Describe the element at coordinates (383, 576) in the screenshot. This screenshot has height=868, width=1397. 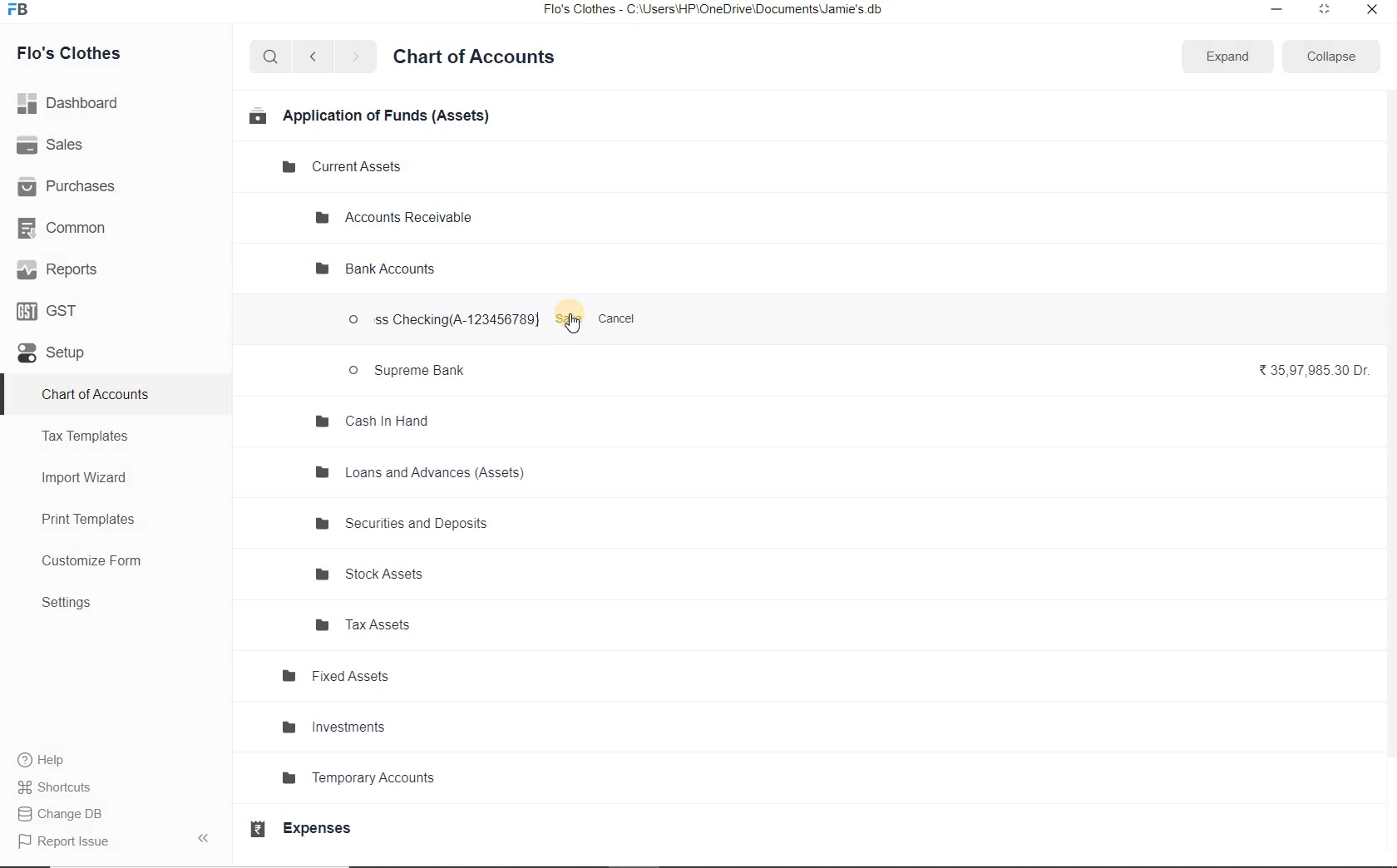
I see `Stock Assets` at that location.